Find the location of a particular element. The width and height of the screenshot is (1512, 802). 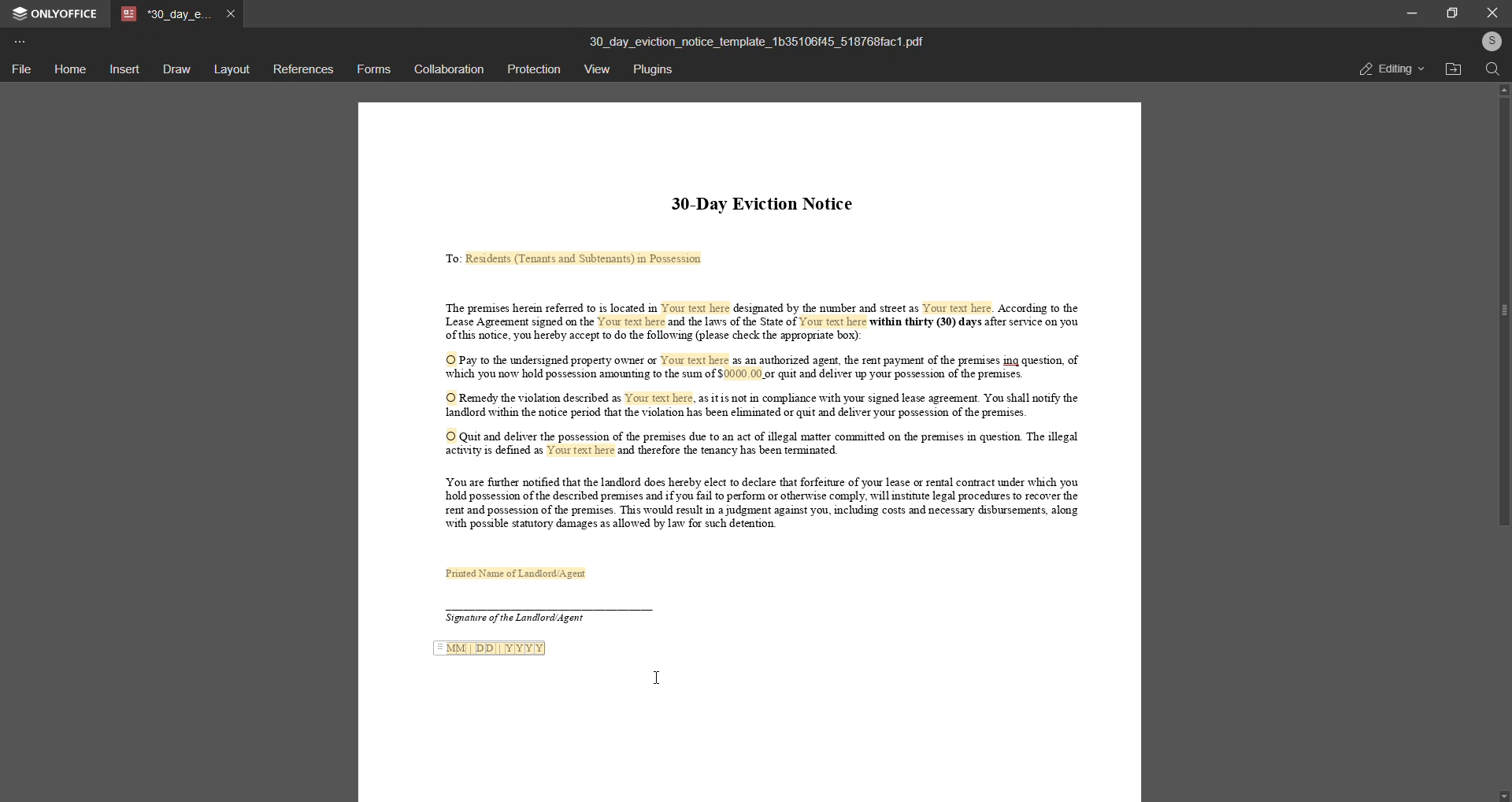

open file location is located at coordinates (1453, 69).